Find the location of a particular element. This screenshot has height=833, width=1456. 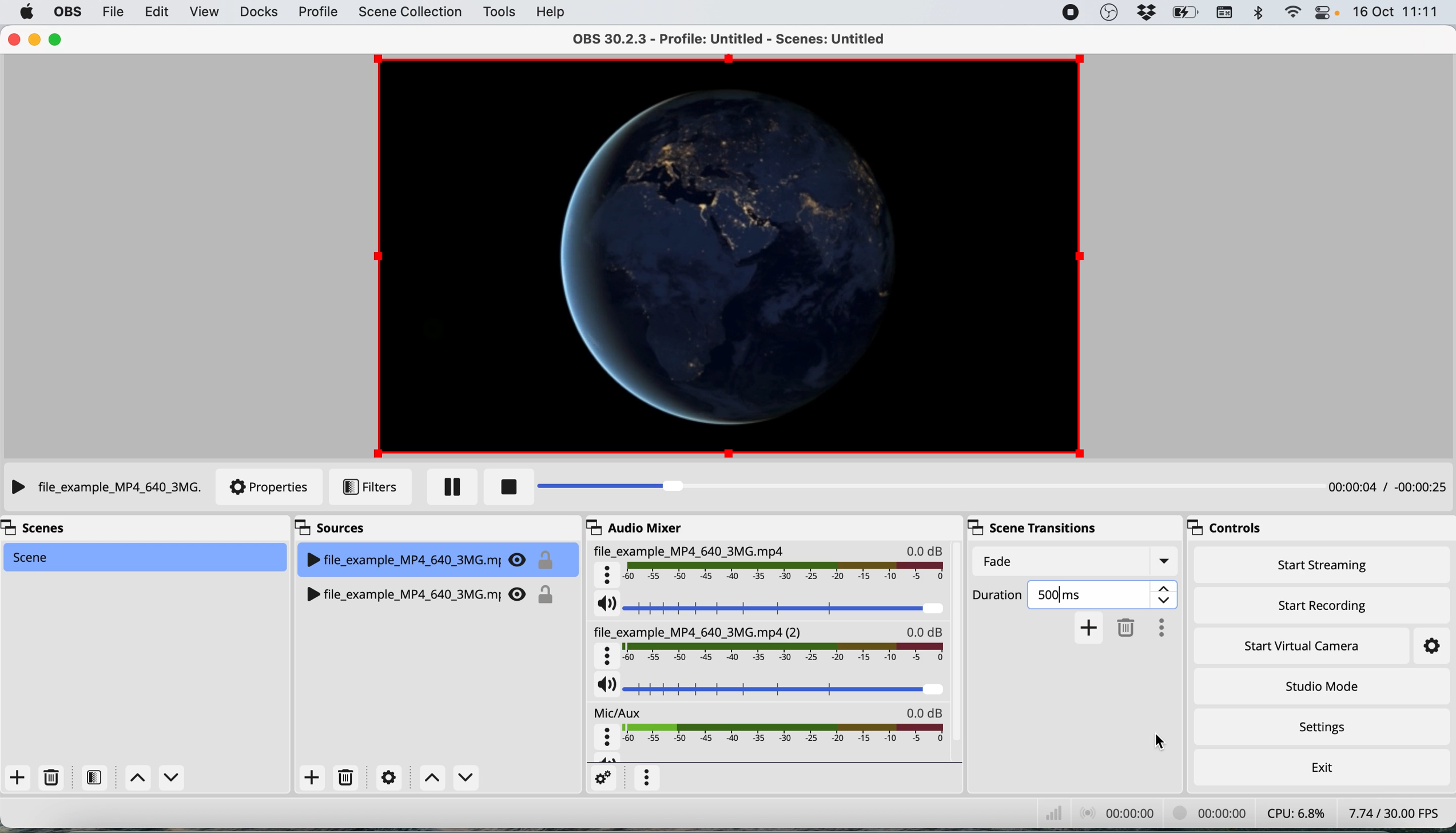

cursor is located at coordinates (1169, 743).